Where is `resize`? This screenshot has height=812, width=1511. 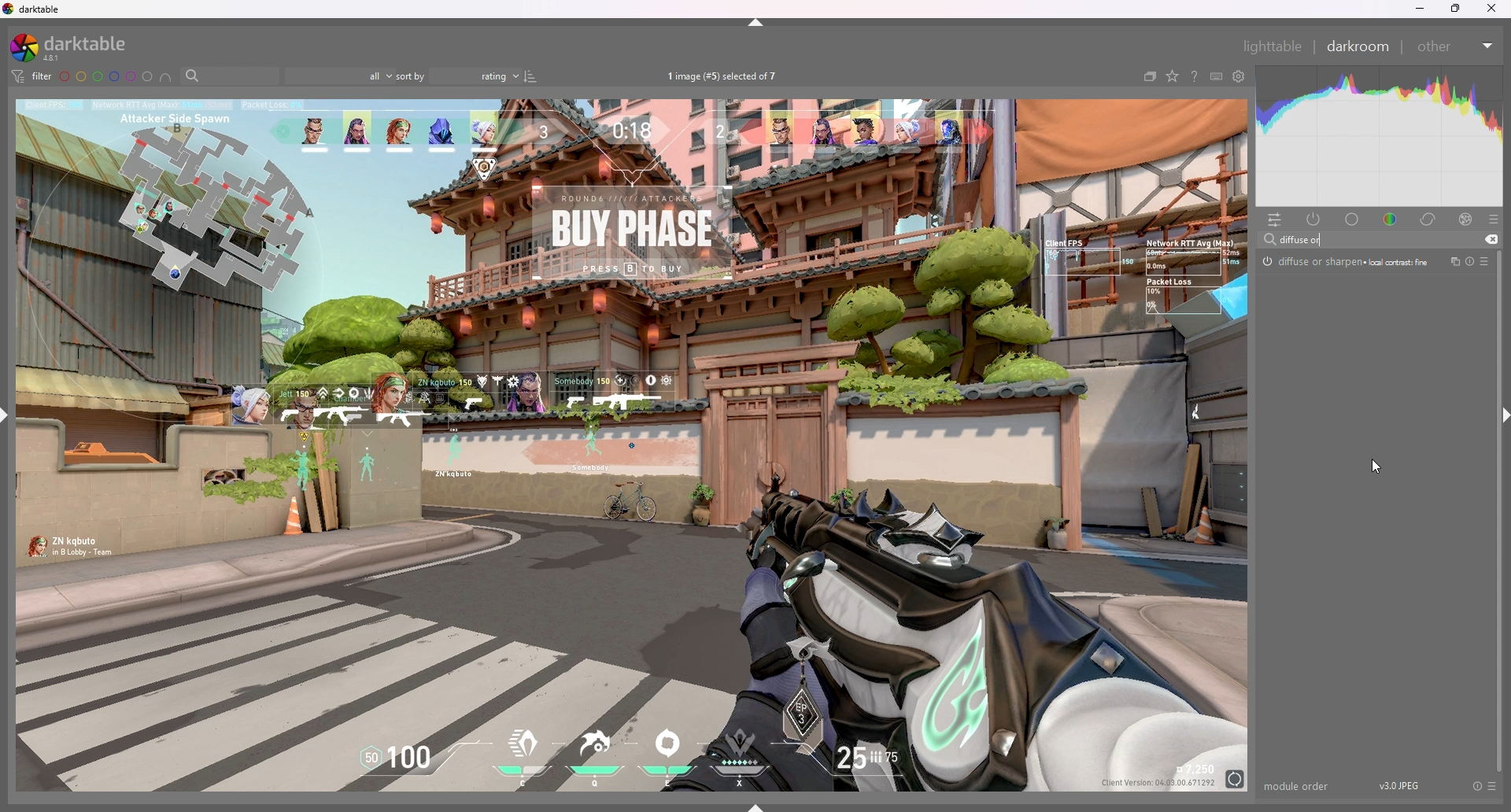
resize is located at coordinates (1456, 9).